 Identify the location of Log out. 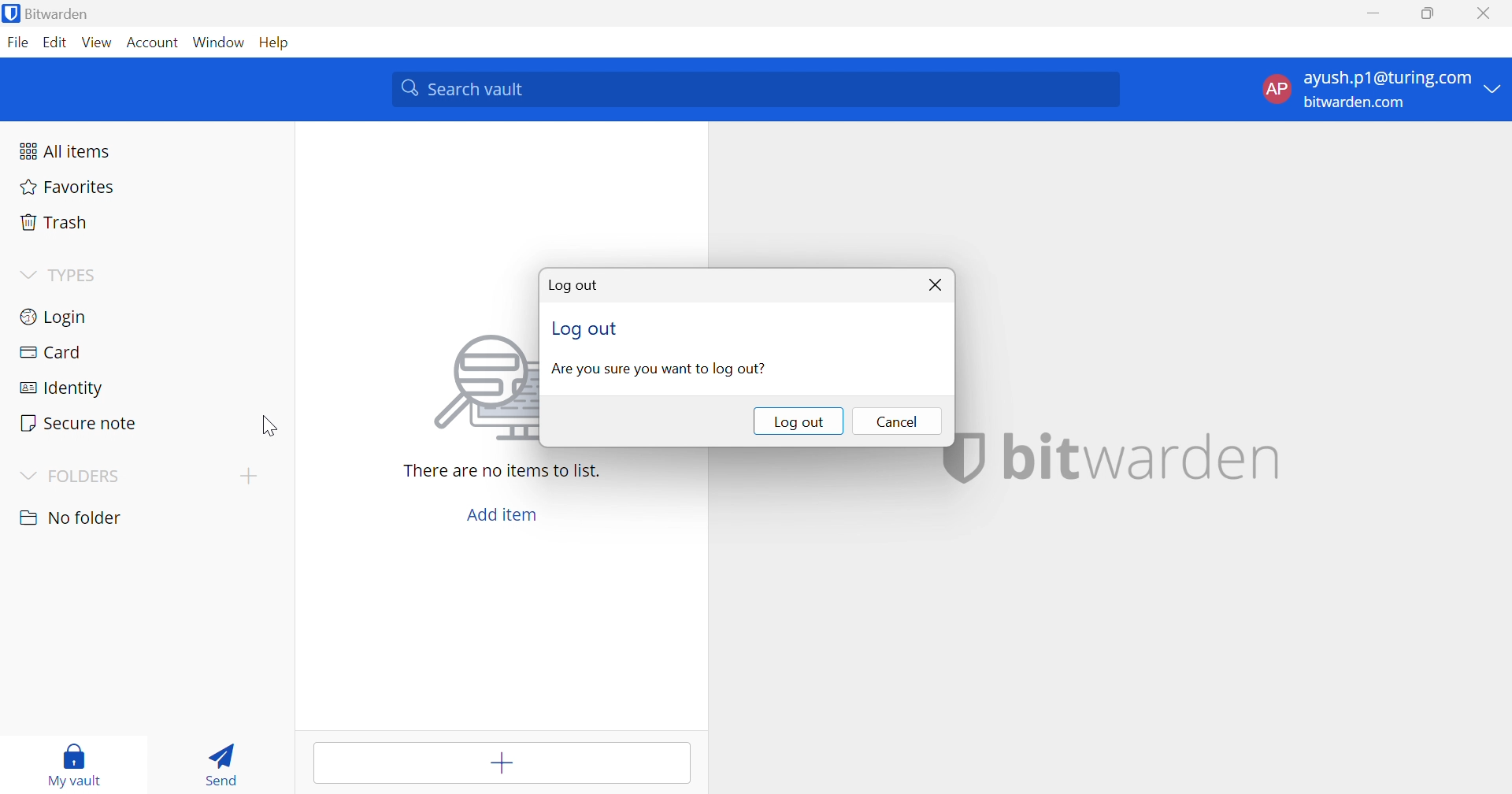
(799, 422).